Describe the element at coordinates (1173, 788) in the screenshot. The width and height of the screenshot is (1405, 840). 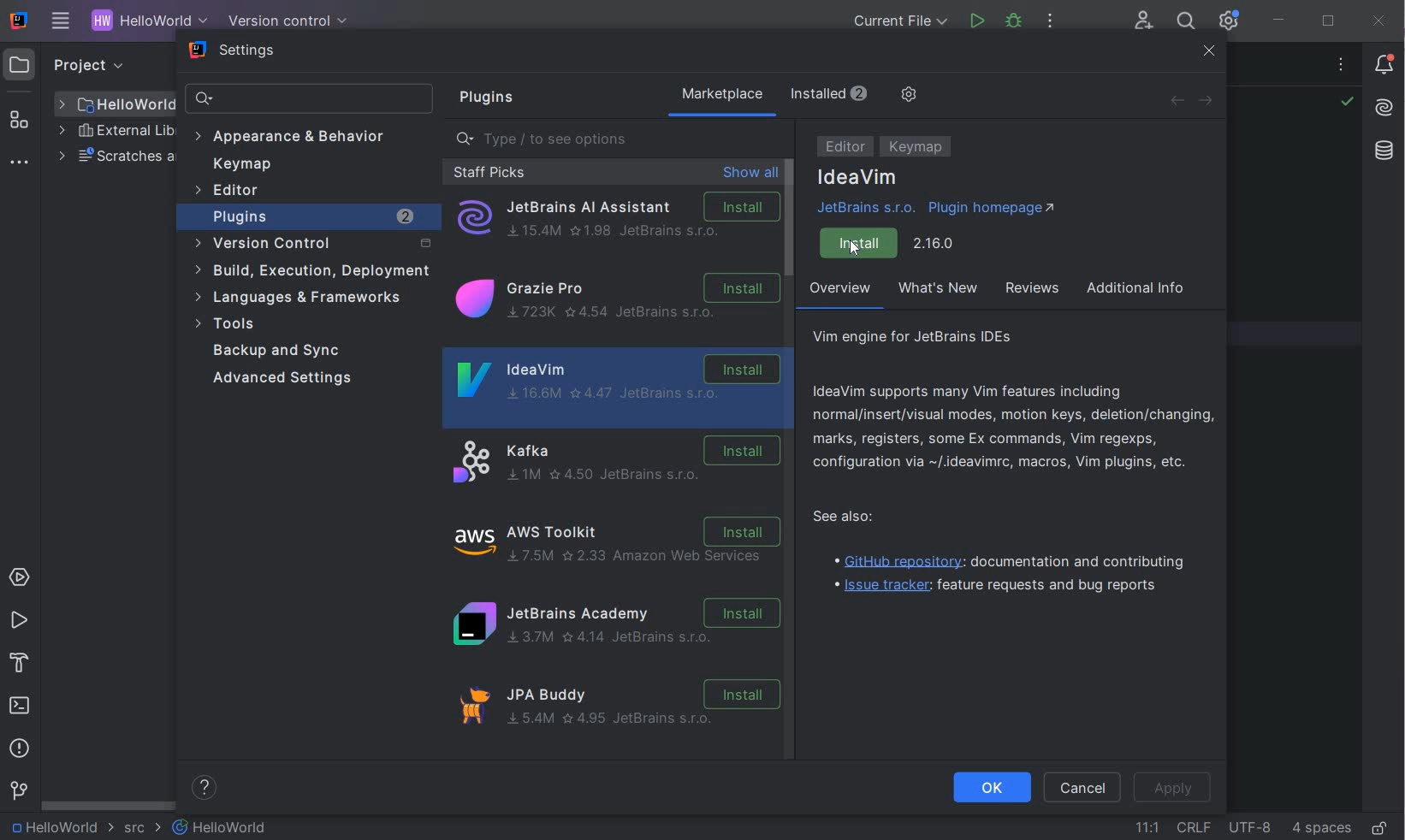
I see `APPLY` at that location.